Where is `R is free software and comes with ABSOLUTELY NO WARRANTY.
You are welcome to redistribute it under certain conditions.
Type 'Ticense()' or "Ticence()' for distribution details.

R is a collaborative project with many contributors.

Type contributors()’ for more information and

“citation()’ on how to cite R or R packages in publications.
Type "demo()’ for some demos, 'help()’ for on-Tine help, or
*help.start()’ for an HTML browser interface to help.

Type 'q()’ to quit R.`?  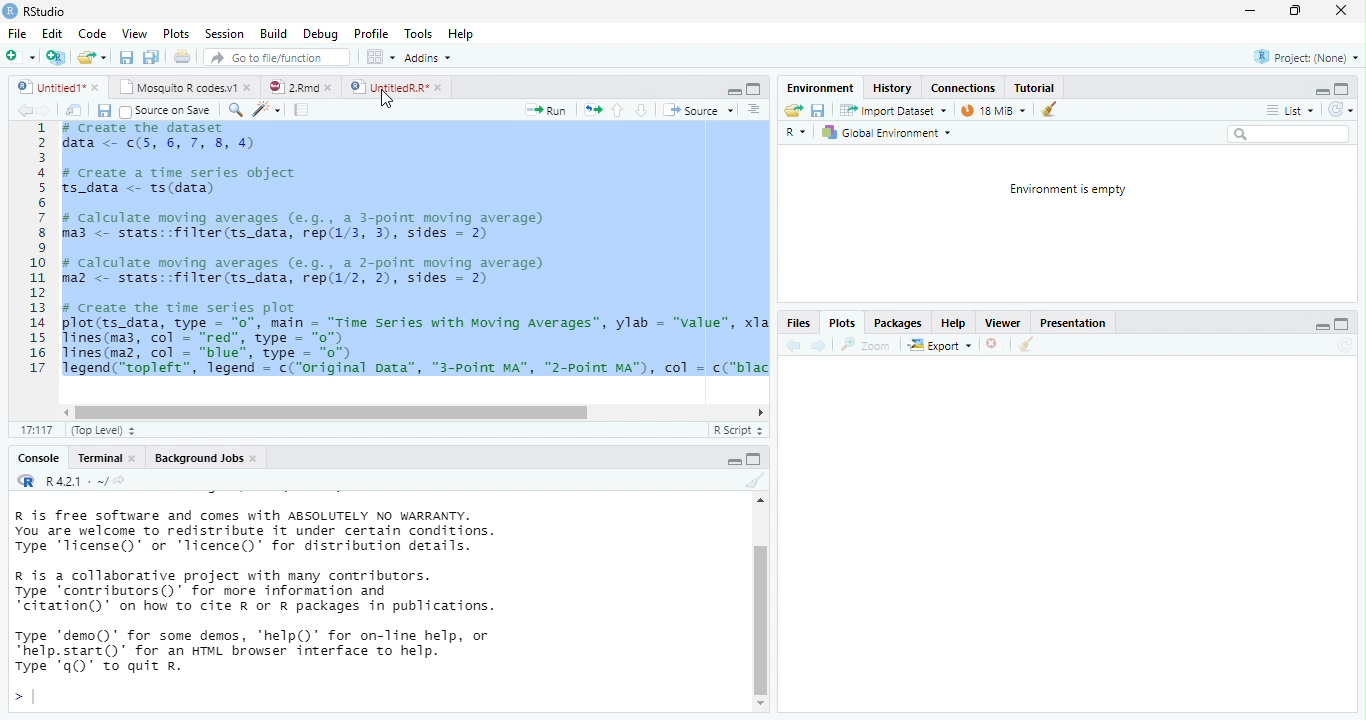
R is free software and comes with ABSOLUTELY NO WARRANTY.
You are welcome to redistribute it under certain conditions.
Type 'Ticense()' or "Ticence()' for distribution details.

R is a collaborative project with many contributors.

Type contributors()’ for more information and

“citation()’ on how to cite R or R packages in publications.
Type "demo()’ for some demos, 'help()’ for on-Tine help, or
*help.start()’ for an HTML browser interface to help.

Type 'q()’ to quit R. is located at coordinates (340, 591).